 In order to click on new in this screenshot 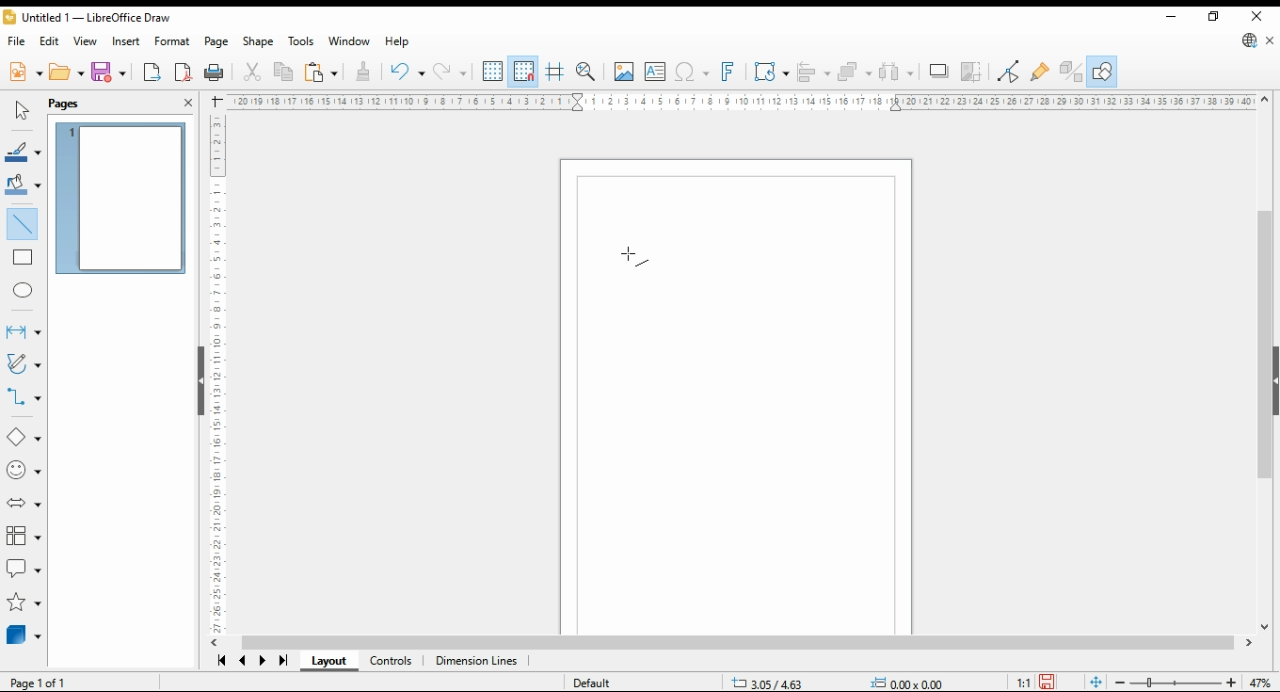, I will do `click(24, 74)`.